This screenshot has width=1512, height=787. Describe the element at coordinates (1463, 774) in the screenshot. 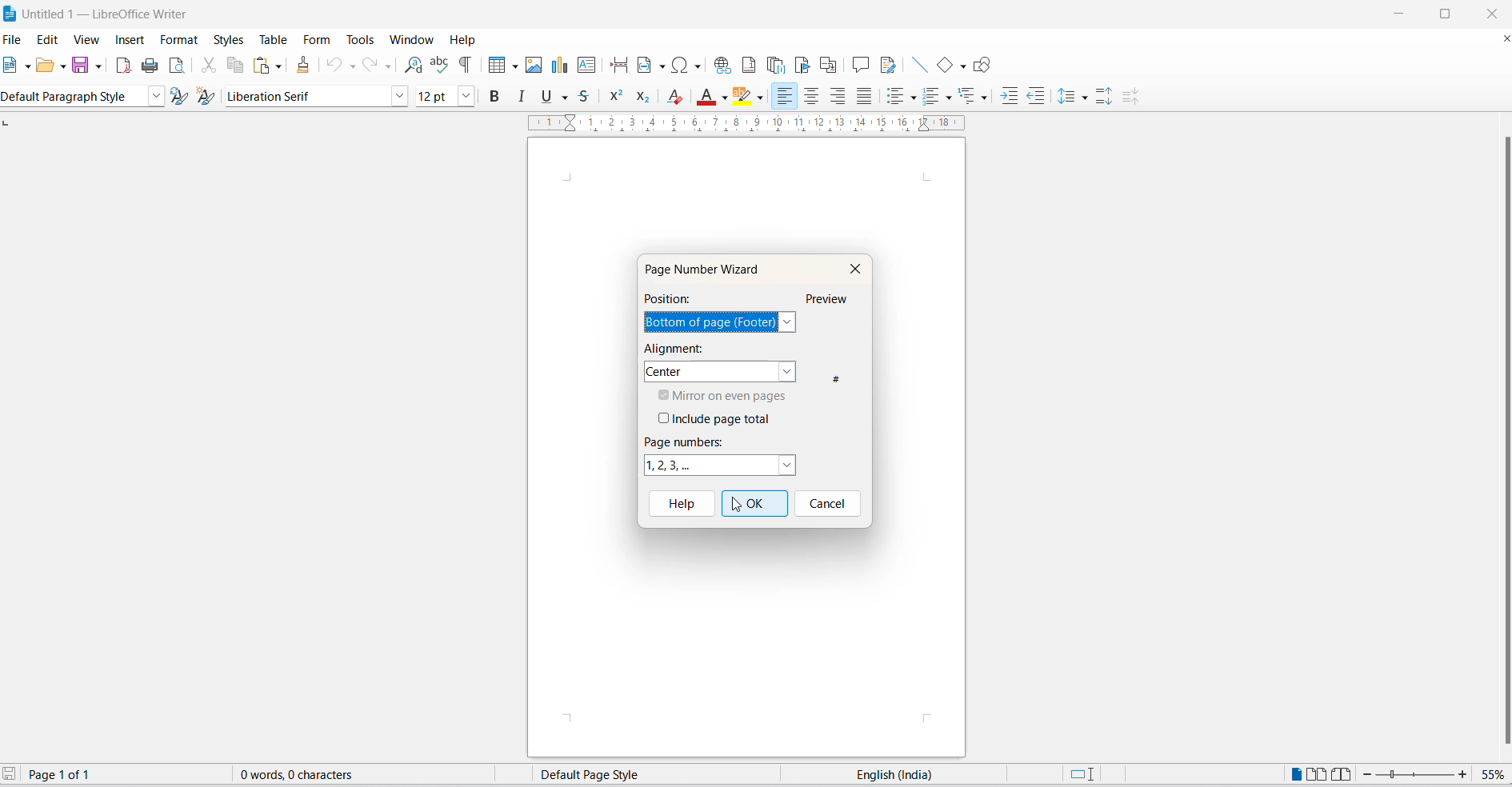

I see `increase` at that location.